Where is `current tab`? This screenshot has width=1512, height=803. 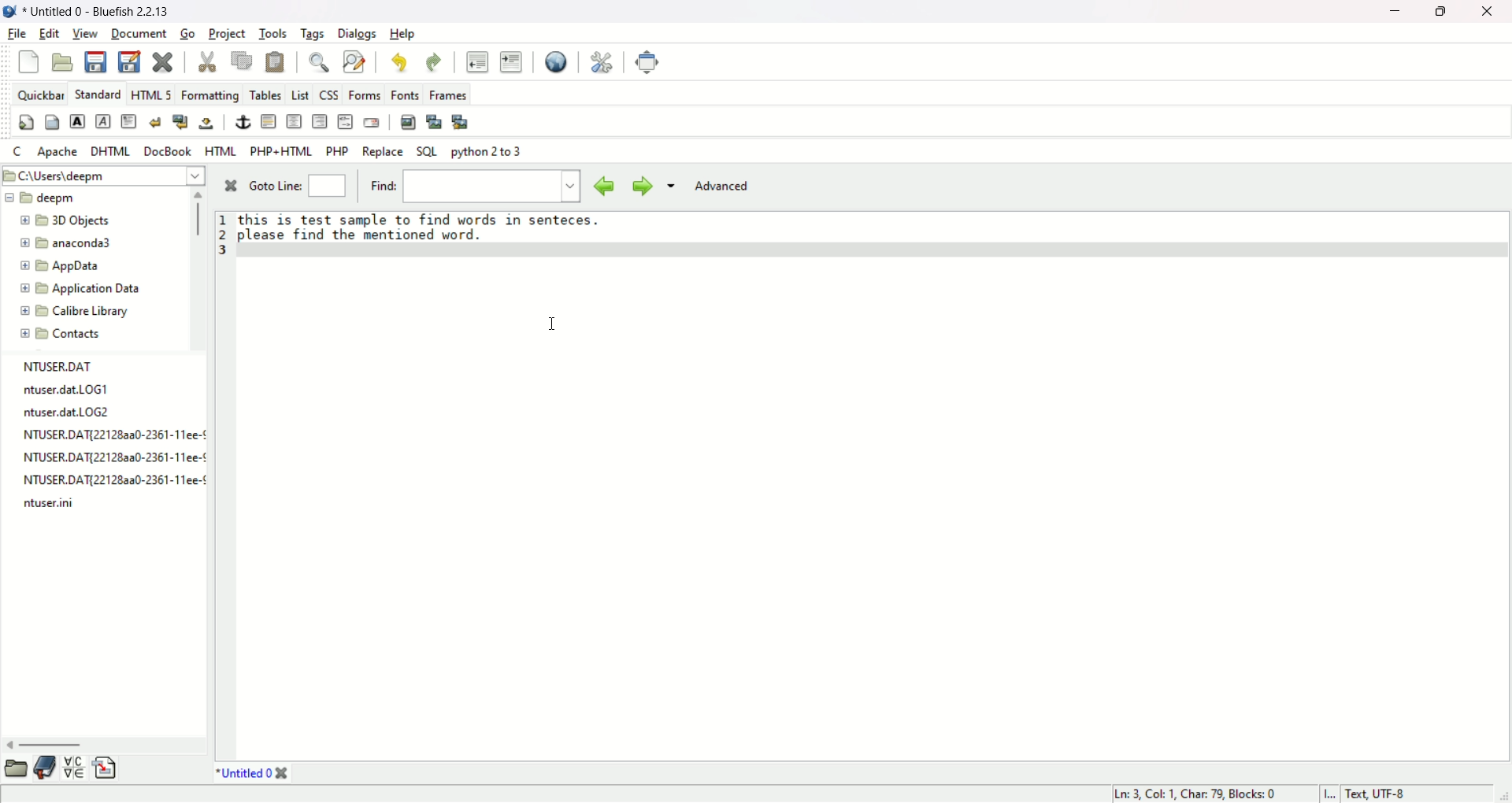 current tab is located at coordinates (240, 775).